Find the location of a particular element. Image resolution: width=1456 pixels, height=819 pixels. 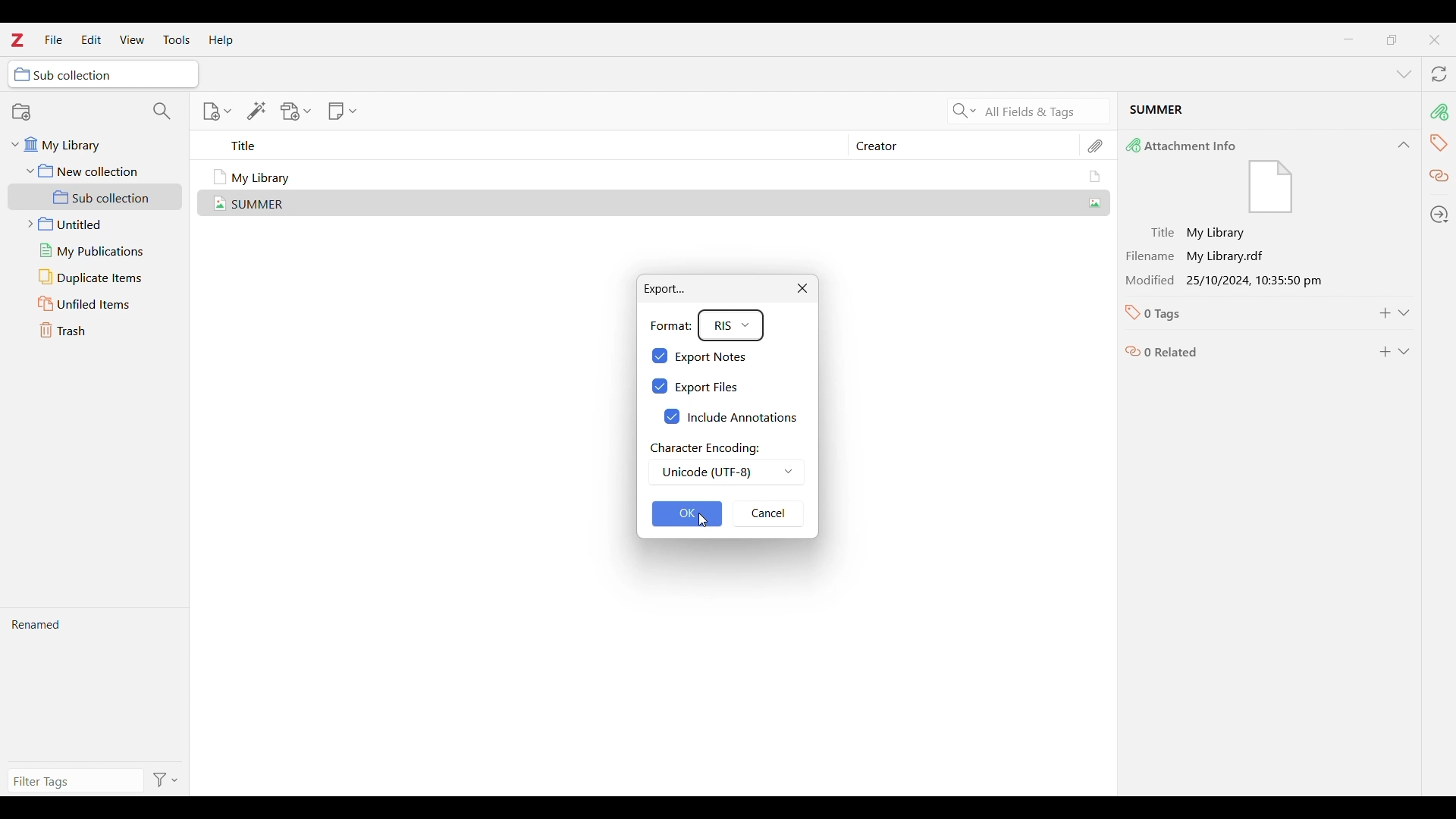

Add is located at coordinates (1385, 352).